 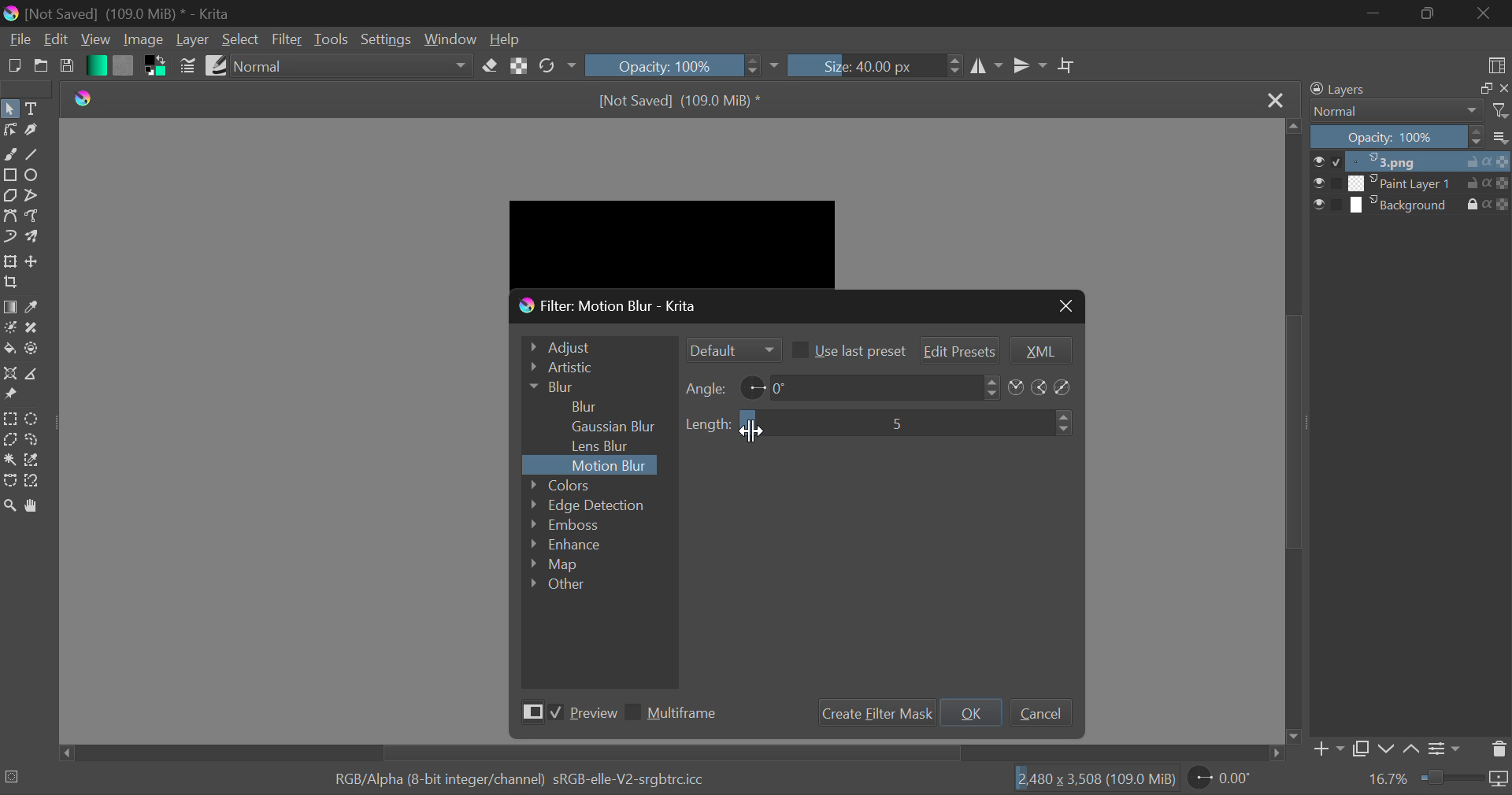 What do you see at coordinates (287, 40) in the screenshot?
I see `Filter` at bounding box center [287, 40].